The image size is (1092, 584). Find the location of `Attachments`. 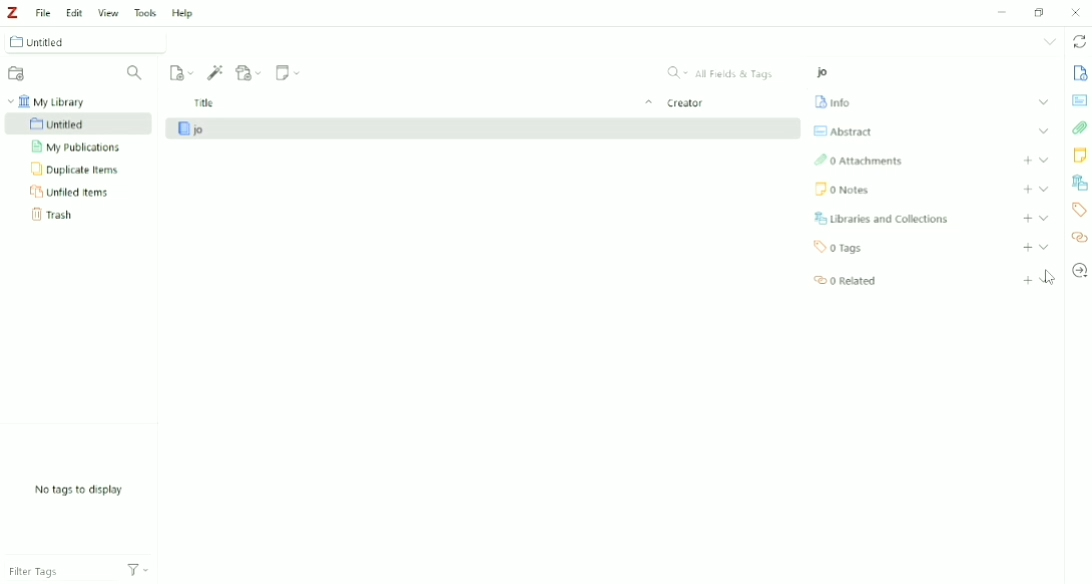

Attachments is located at coordinates (860, 160).